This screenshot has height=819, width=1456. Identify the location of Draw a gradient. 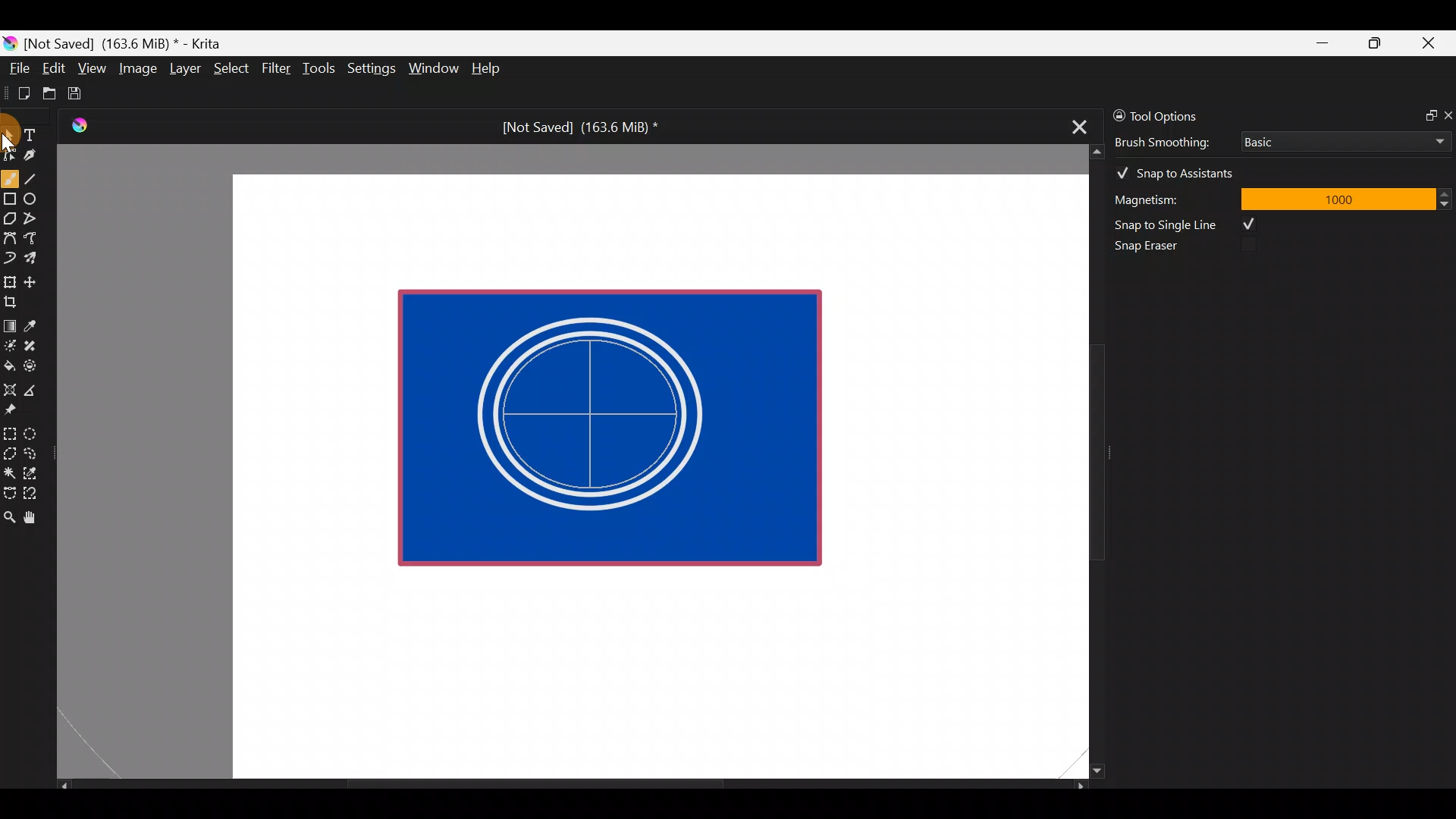
(9, 322).